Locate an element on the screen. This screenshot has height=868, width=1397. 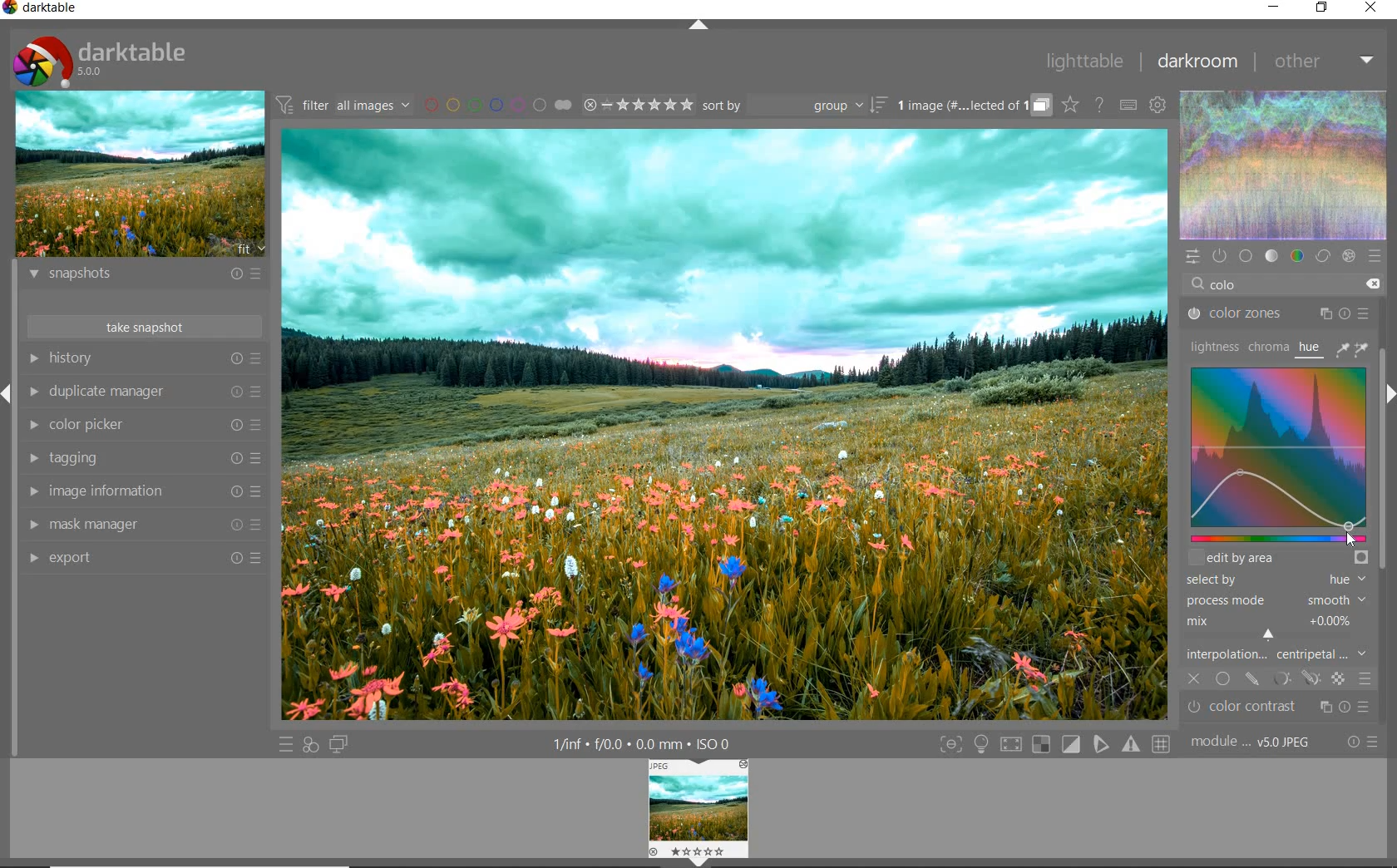
mask manager is located at coordinates (143, 523).